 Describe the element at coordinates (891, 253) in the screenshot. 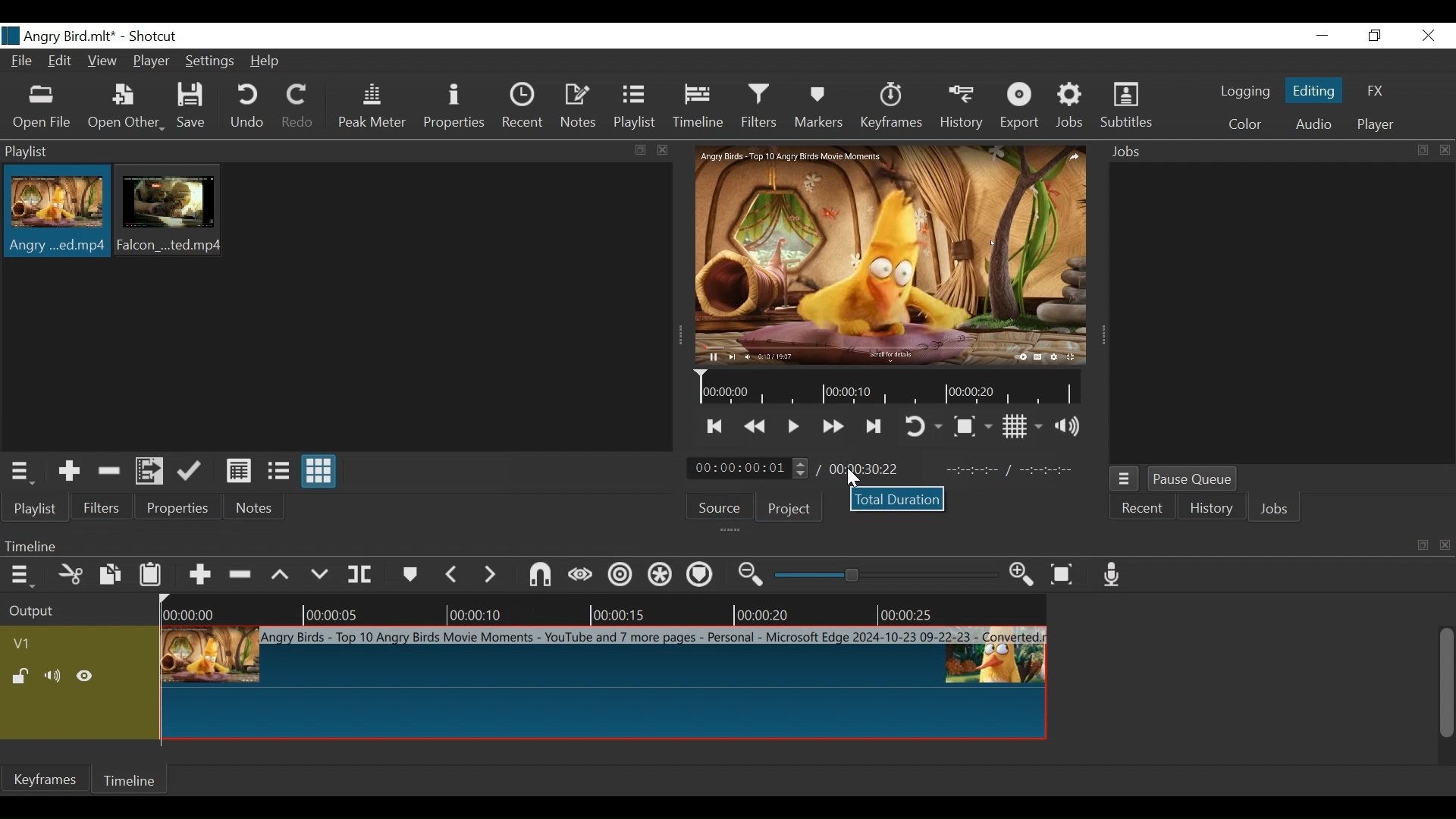

I see `Media Viewer` at that location.